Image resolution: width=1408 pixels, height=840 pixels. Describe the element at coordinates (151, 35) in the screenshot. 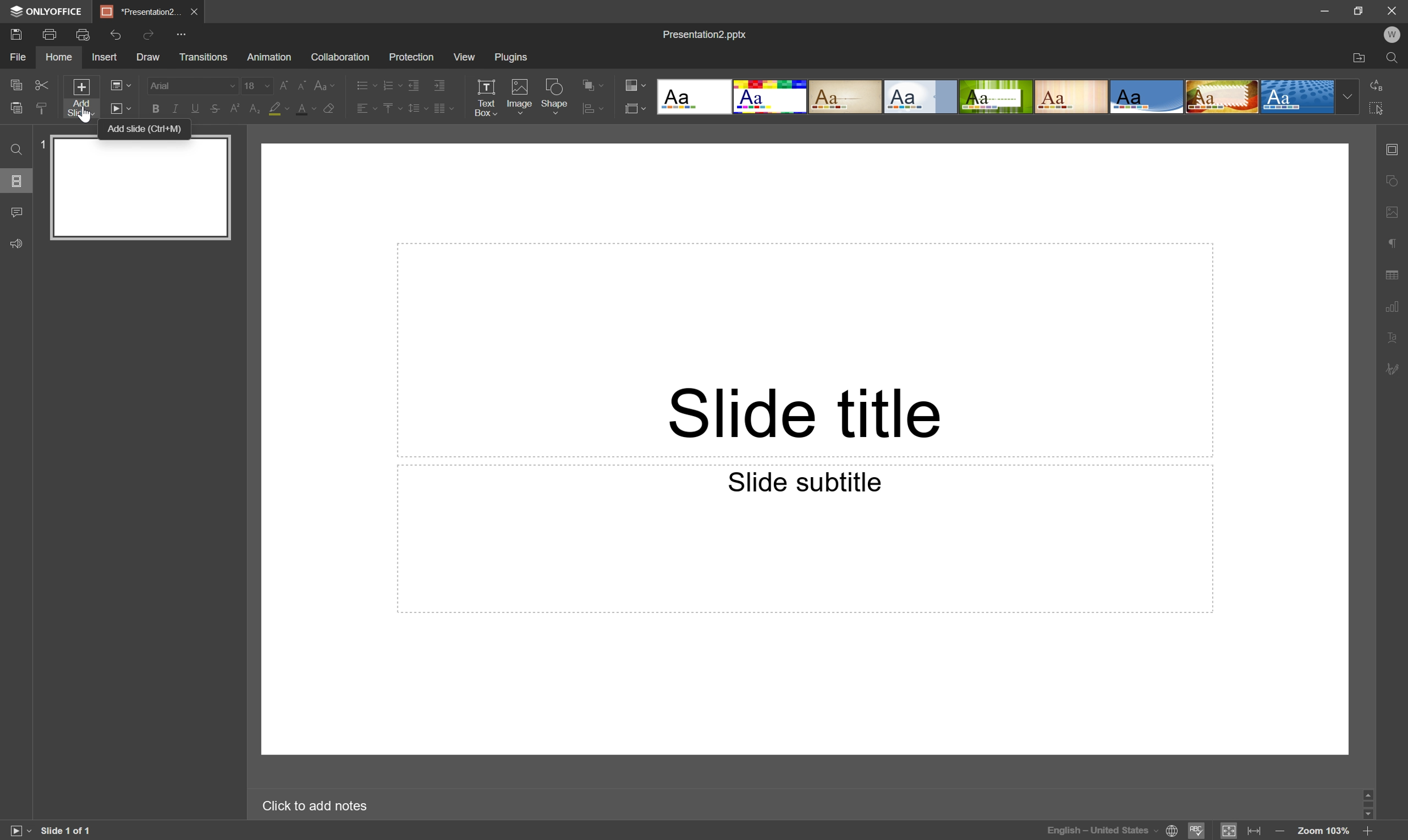

I see `Redo` at that location.